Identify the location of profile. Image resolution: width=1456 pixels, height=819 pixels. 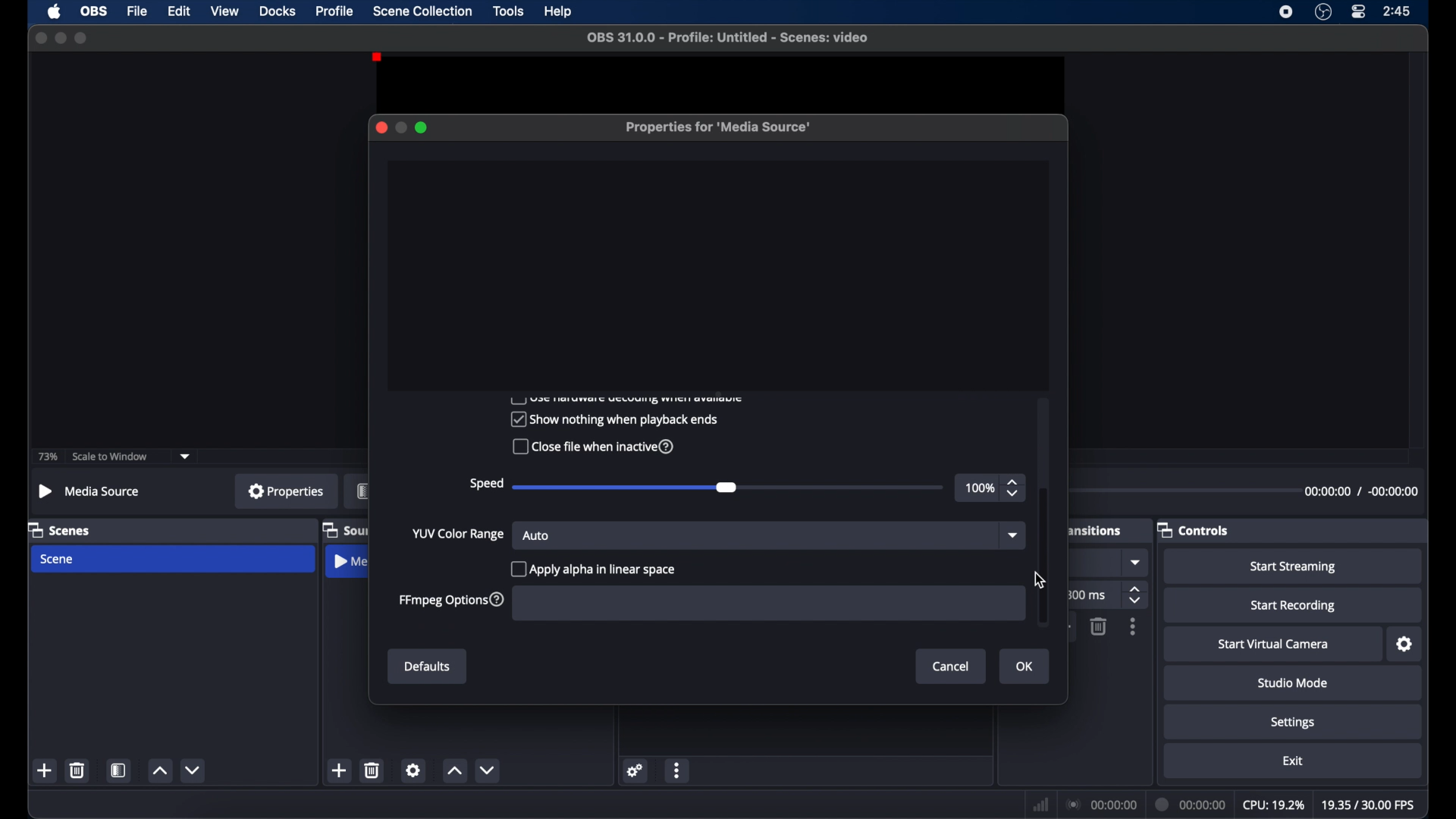
(336, 11).